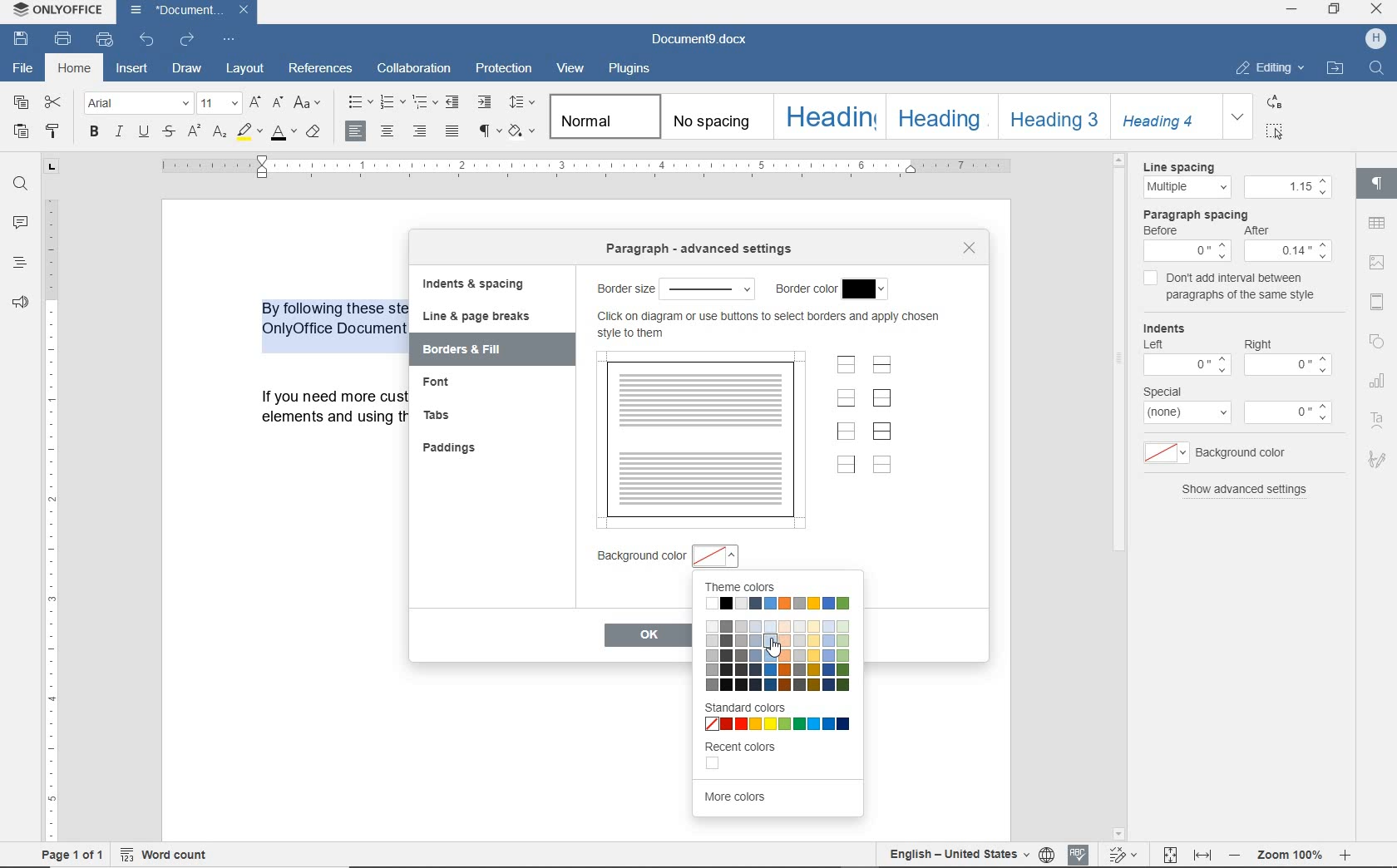 The width and height of the screenshot is (1397, 868). Describe the element at coordinates (446, 386) in the screenshot. I see `font` at that location.